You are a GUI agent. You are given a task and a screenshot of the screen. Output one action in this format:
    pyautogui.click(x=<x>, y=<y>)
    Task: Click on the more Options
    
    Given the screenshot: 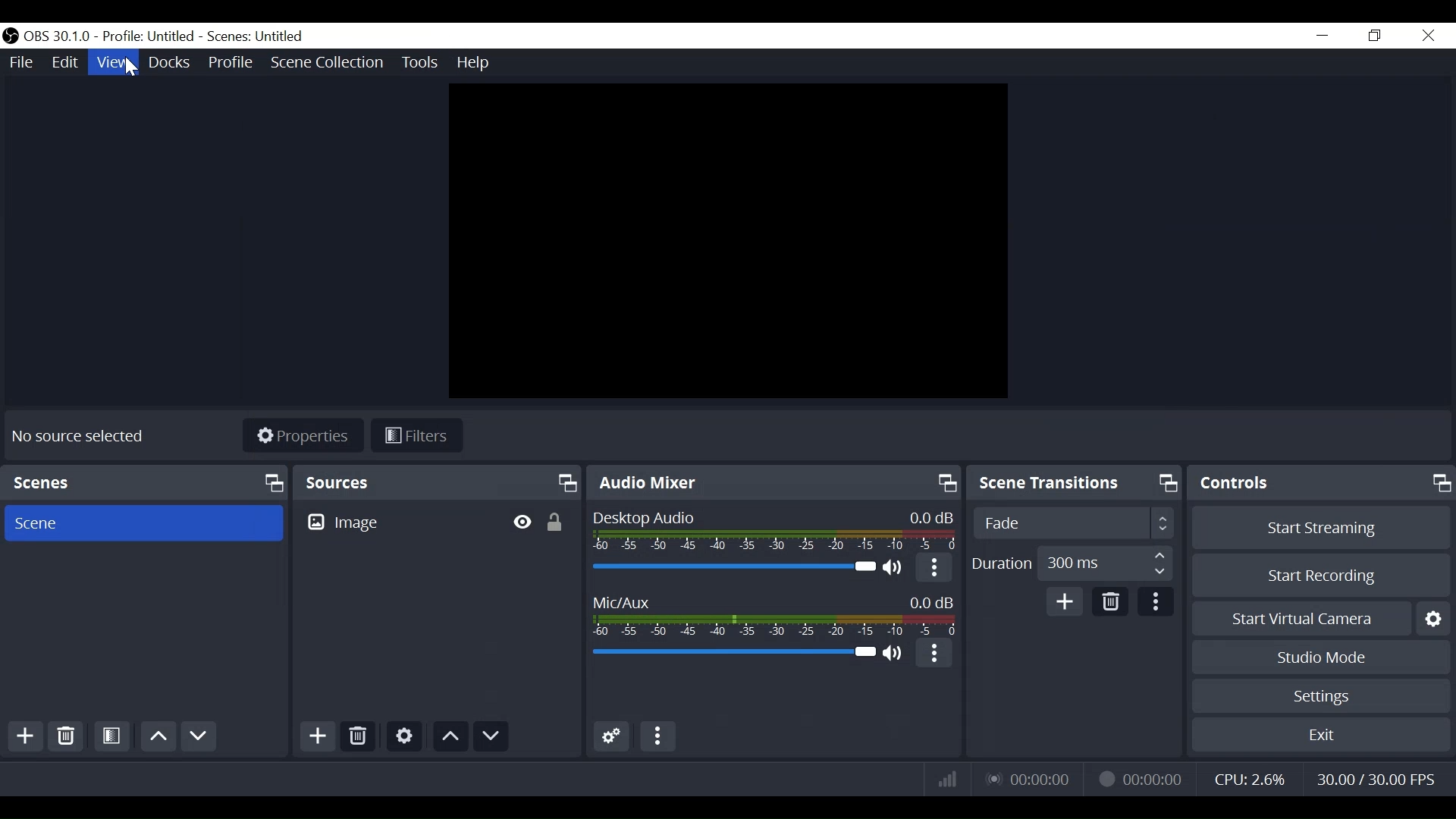 What is the action you would take?
    pyautogui.click(x=932, y=570)
    